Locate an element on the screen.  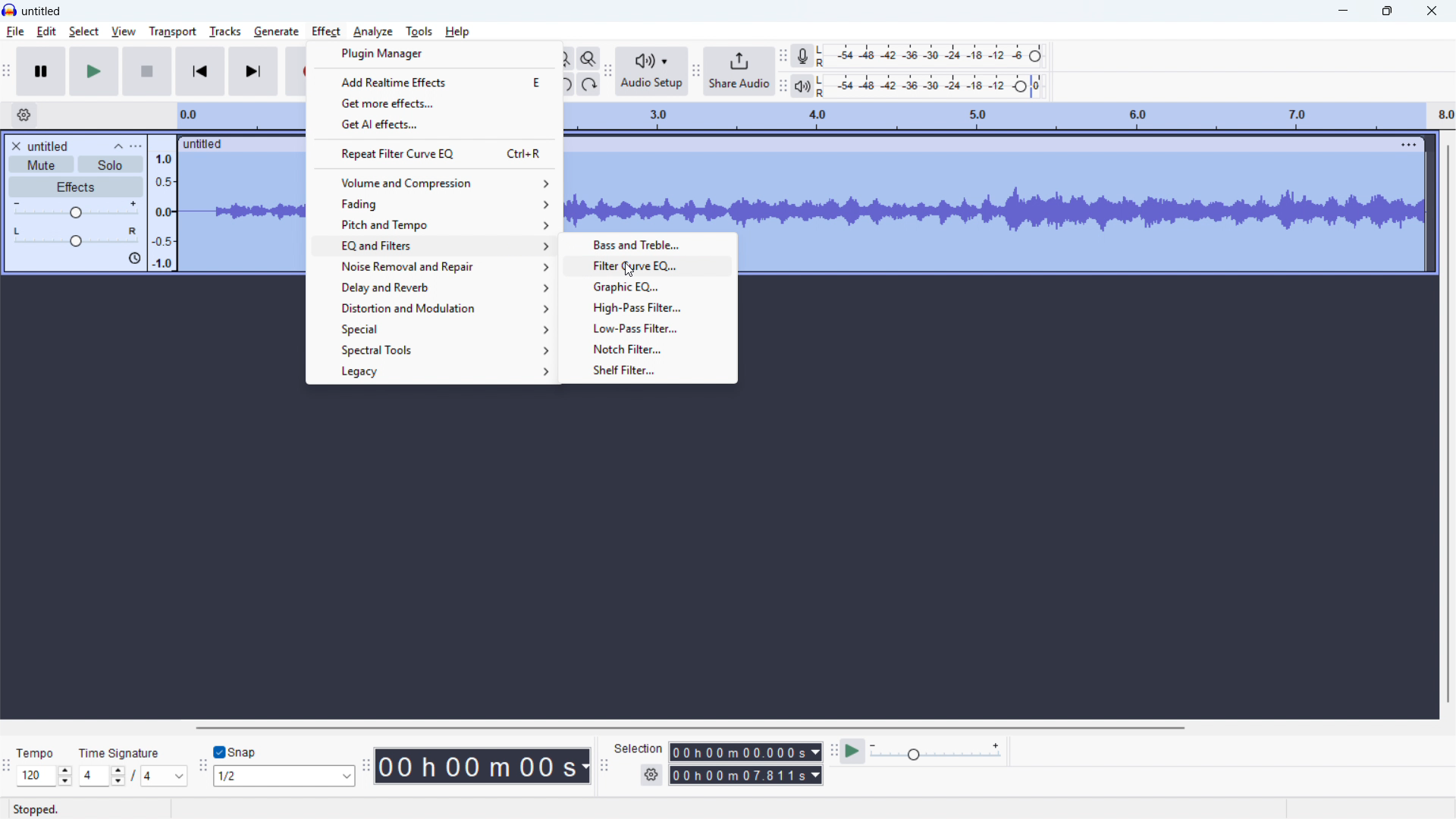
time signature is located at coordinates (120, 754).